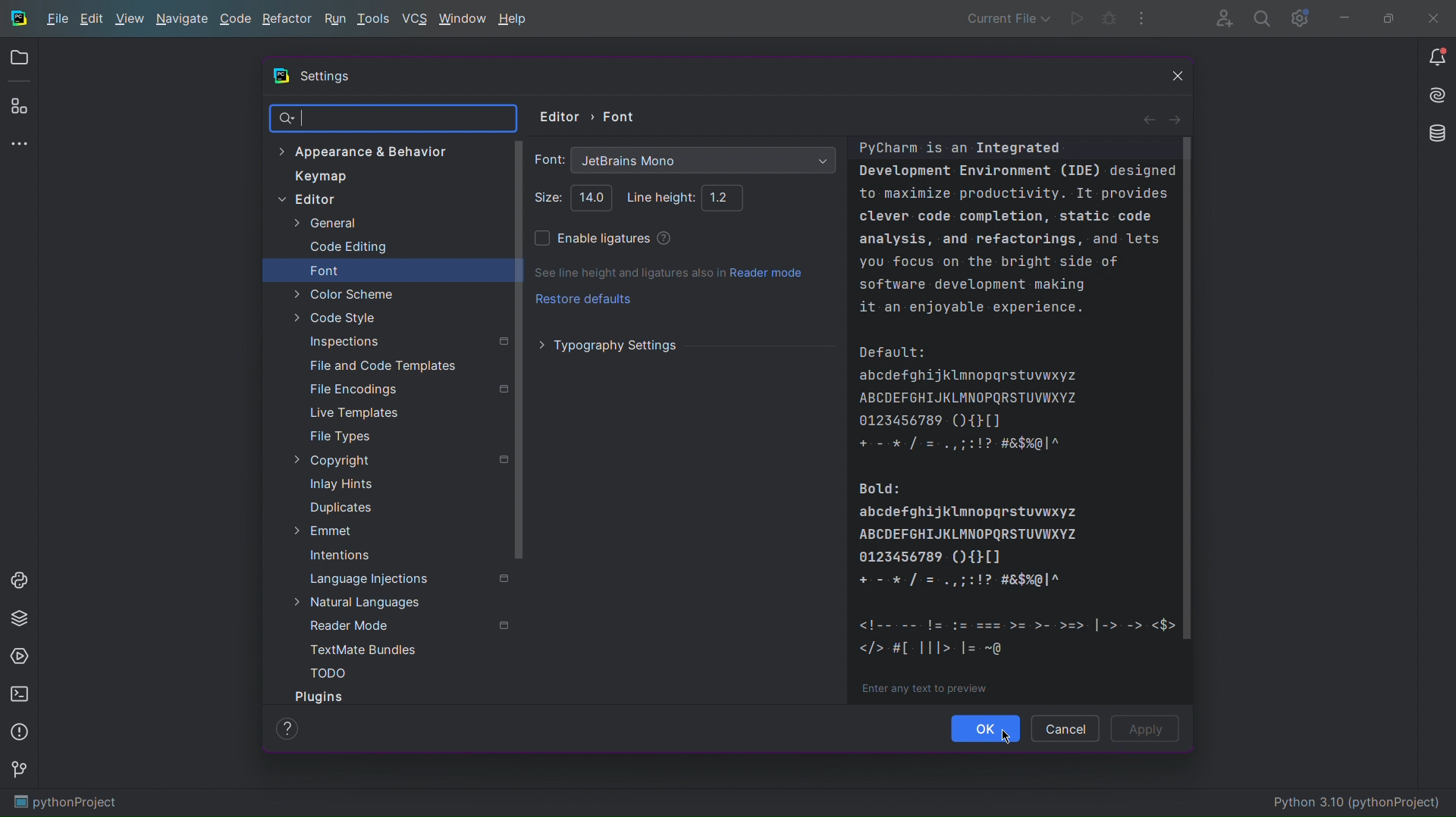  I want to click on Example, so click(1021, 422).